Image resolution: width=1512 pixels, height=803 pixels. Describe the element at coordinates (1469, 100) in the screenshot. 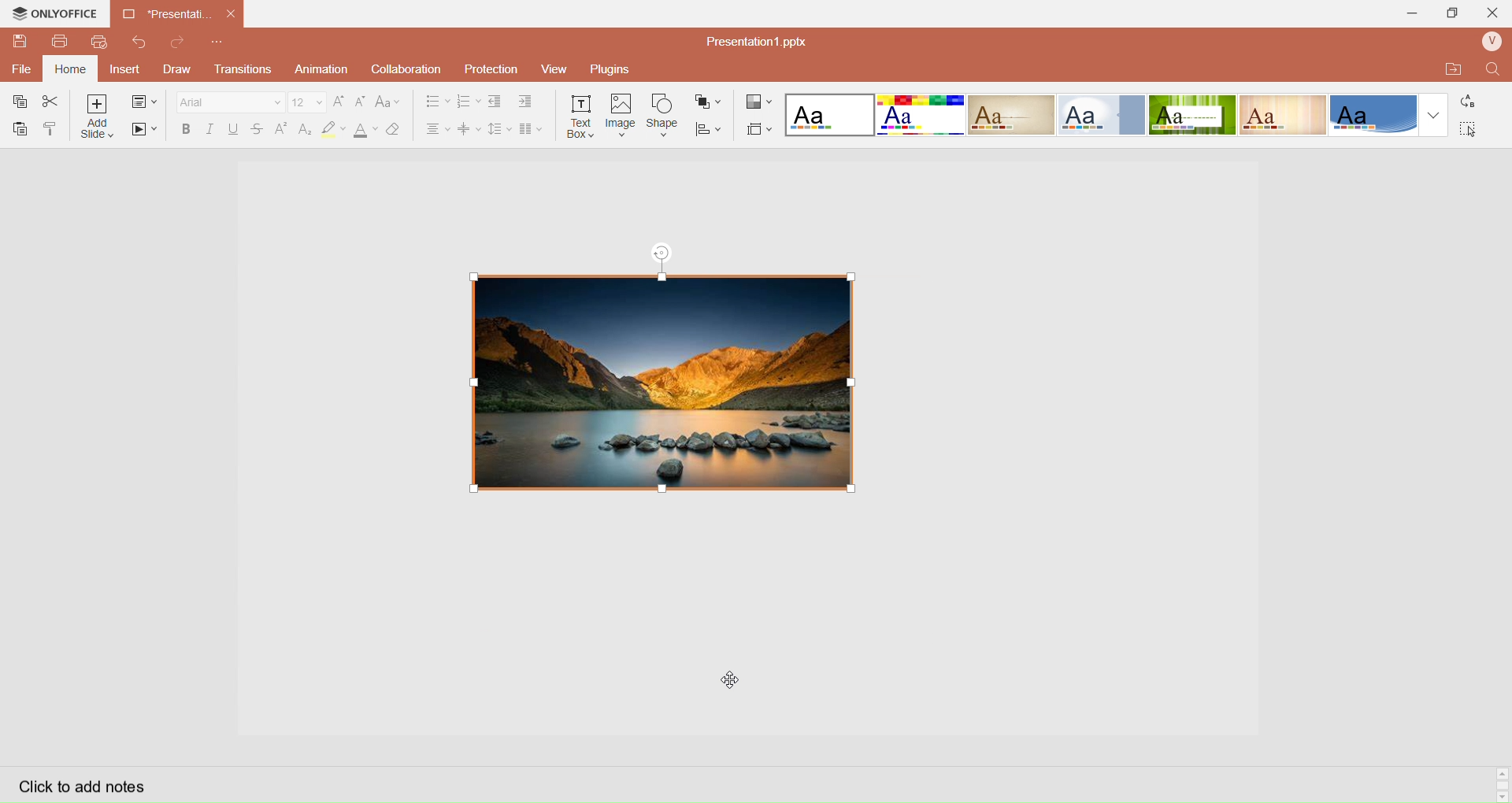

I see `Replace` at that location.